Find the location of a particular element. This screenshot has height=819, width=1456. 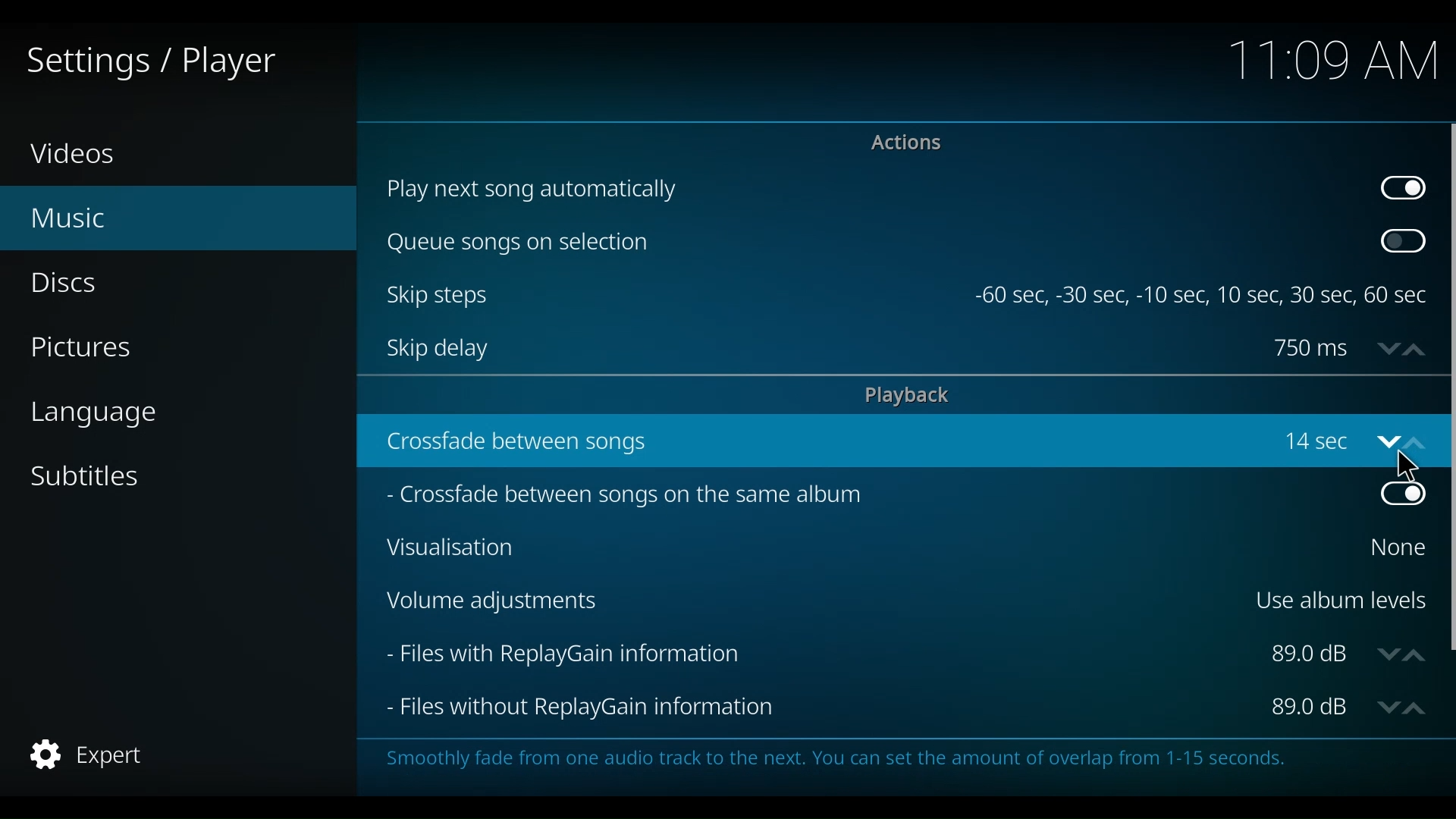

Files wit PlayGain informadion in dB is located at coordinates (1311, 654).